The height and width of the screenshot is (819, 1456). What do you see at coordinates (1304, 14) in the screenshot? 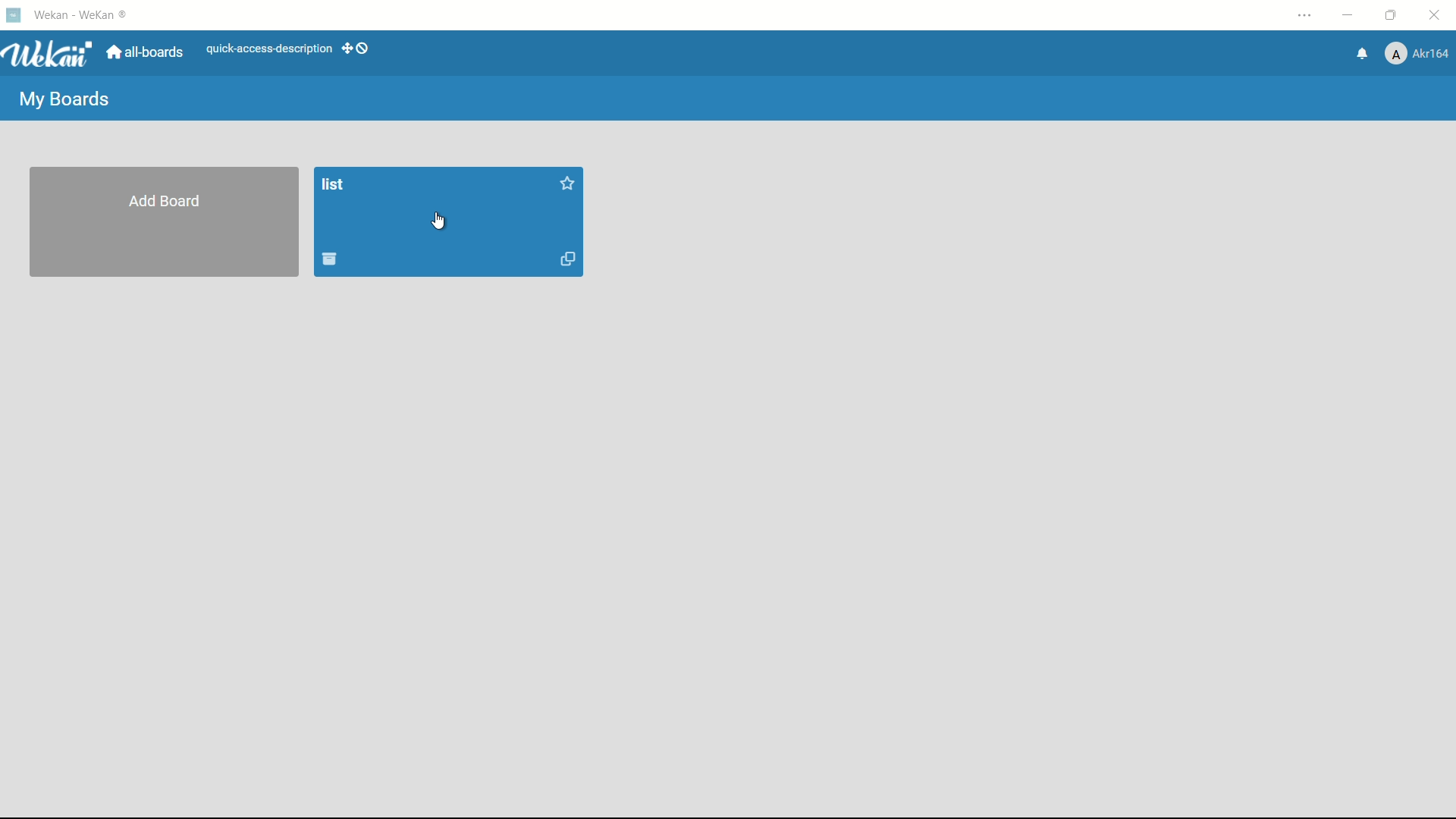
I see `settings and more` at bounding box center [1304, 14].